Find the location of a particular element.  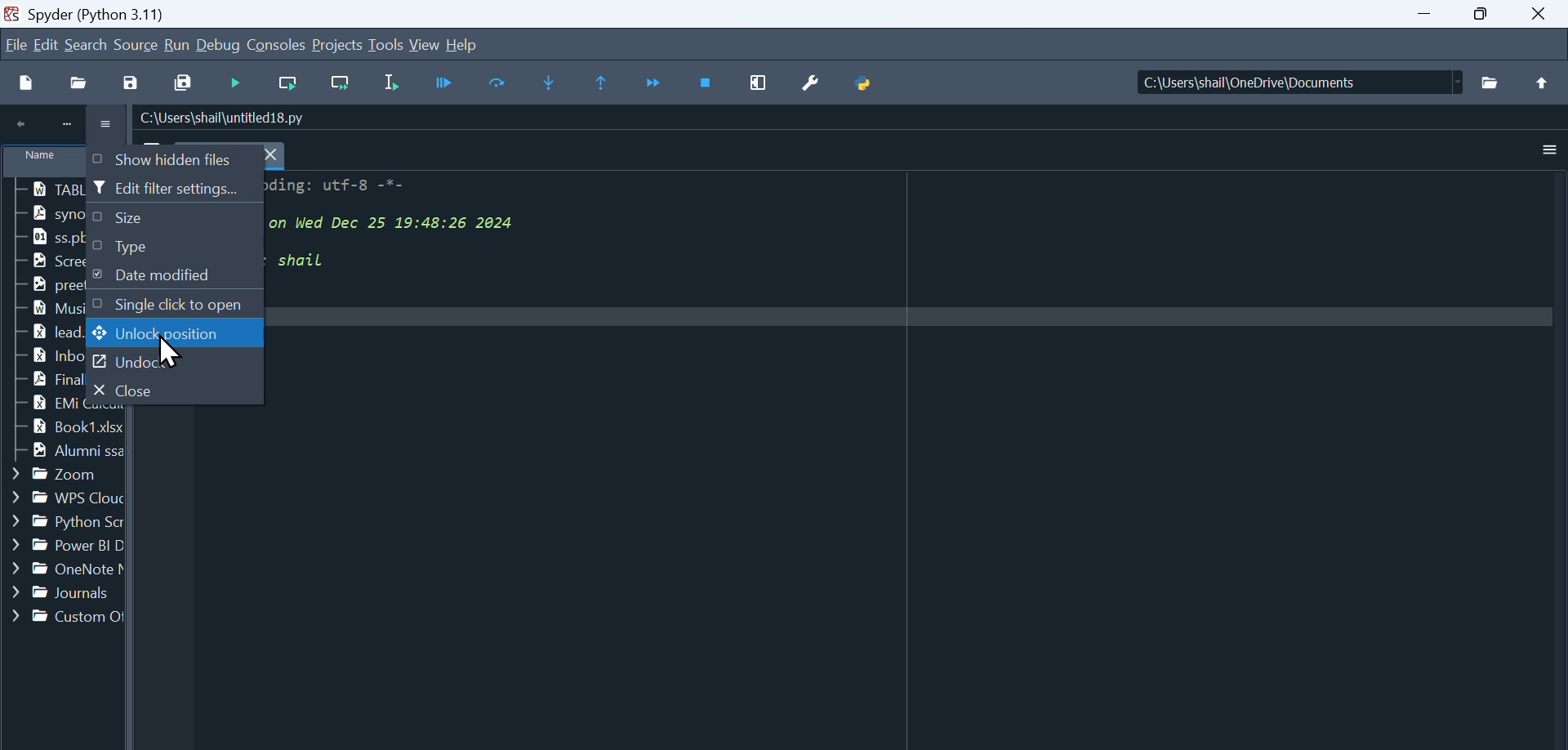

More options is located at coordinates (1550, 150).